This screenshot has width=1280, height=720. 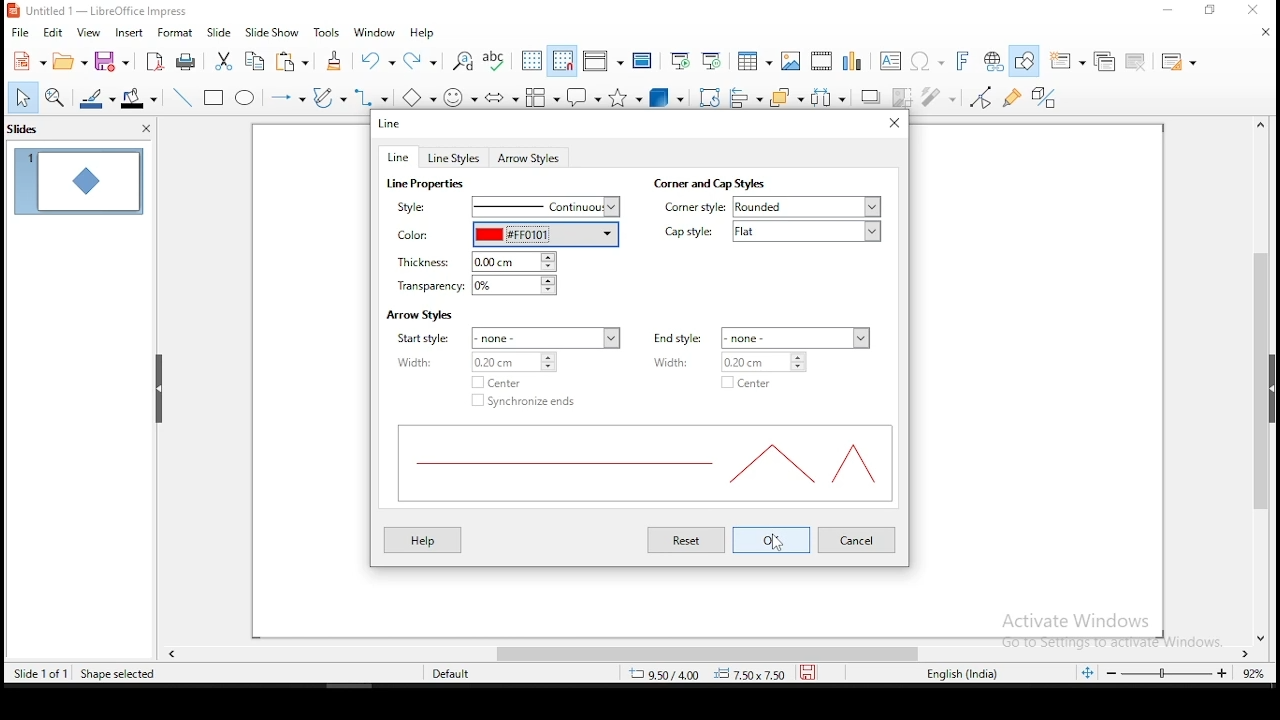 What do you see at coordinates (983, 97) in the screenshot?
I see `toggle point edit mode` at bounding box center [983, 97].